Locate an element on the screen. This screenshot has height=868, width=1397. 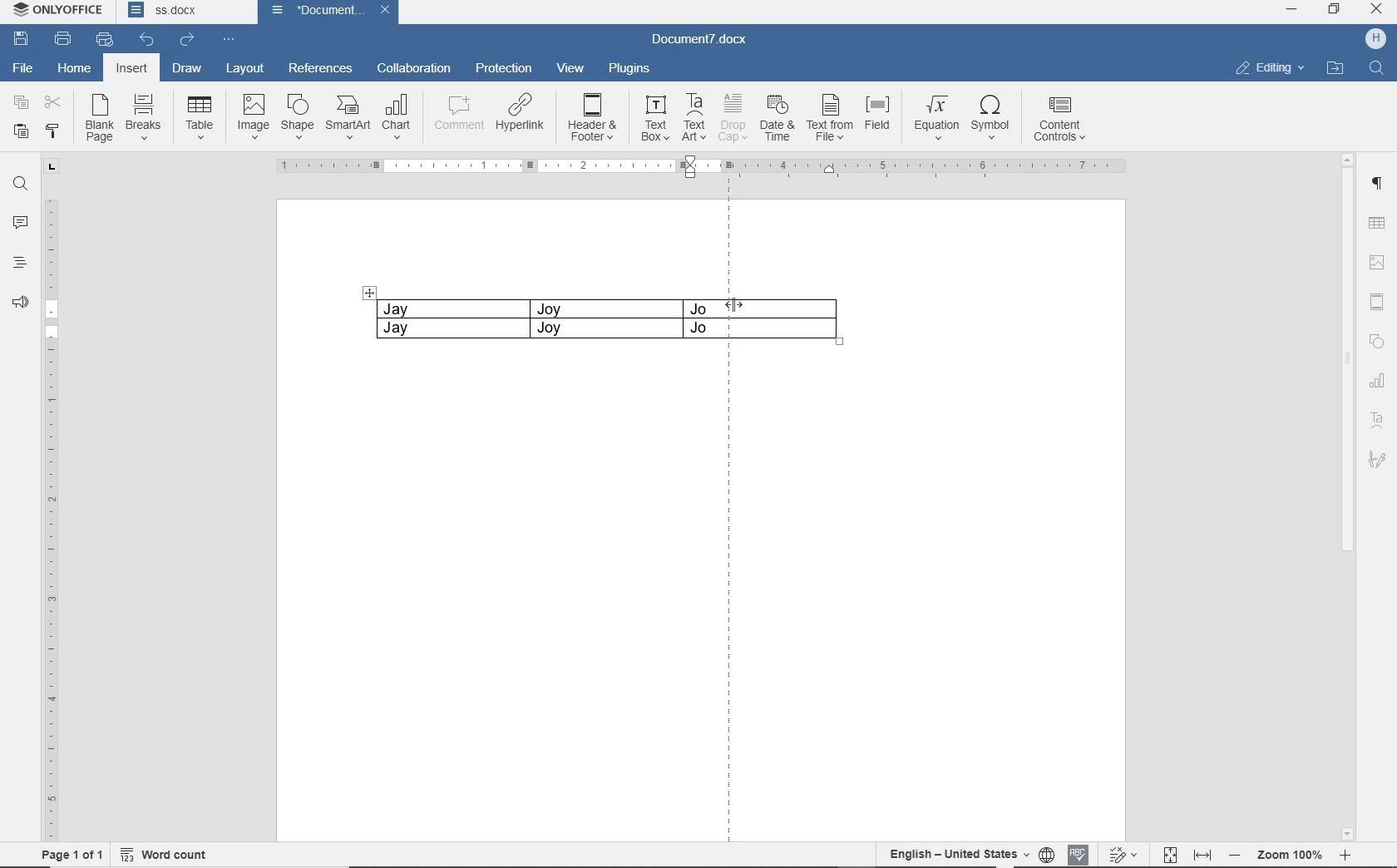
DATE &TIME is located at coordinates (777, 117).